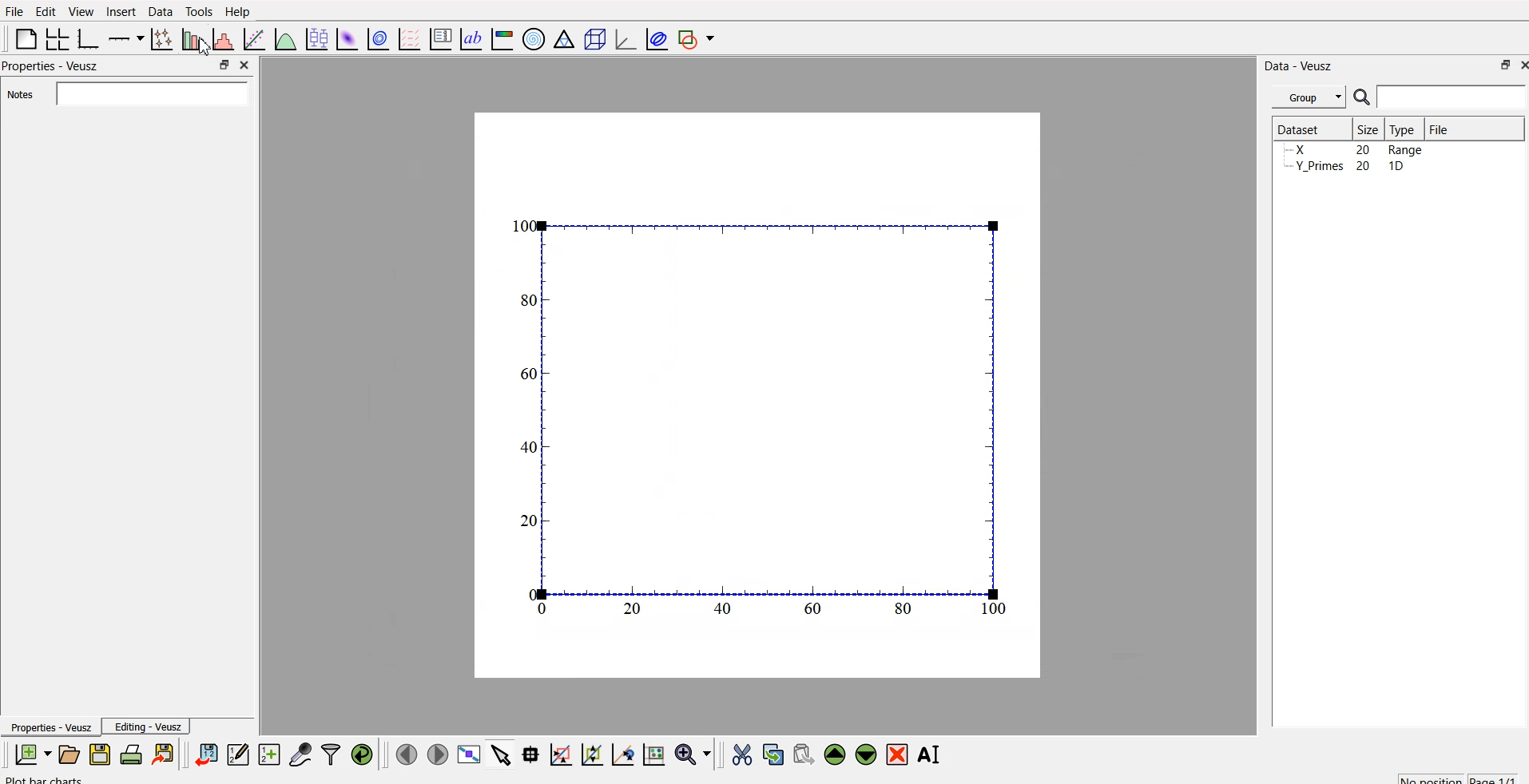 Image resolution: width=1529 pixels, height=784 pixels. What do you see at coordinates (657, 38) in the screenshot?
I see `plot covariance ellipses` at bounding box center [657, 38].